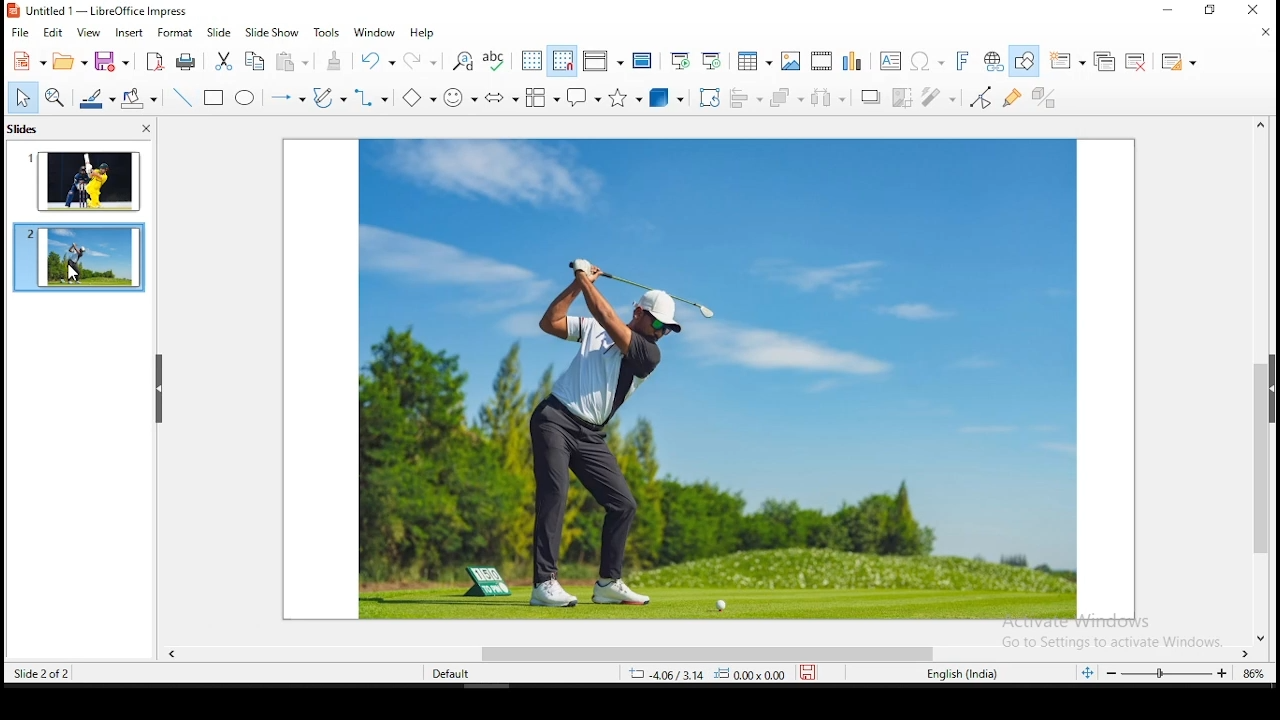 The height and width of the screenshot is (720, 1280). I want to click on filter, so click(938, 98).